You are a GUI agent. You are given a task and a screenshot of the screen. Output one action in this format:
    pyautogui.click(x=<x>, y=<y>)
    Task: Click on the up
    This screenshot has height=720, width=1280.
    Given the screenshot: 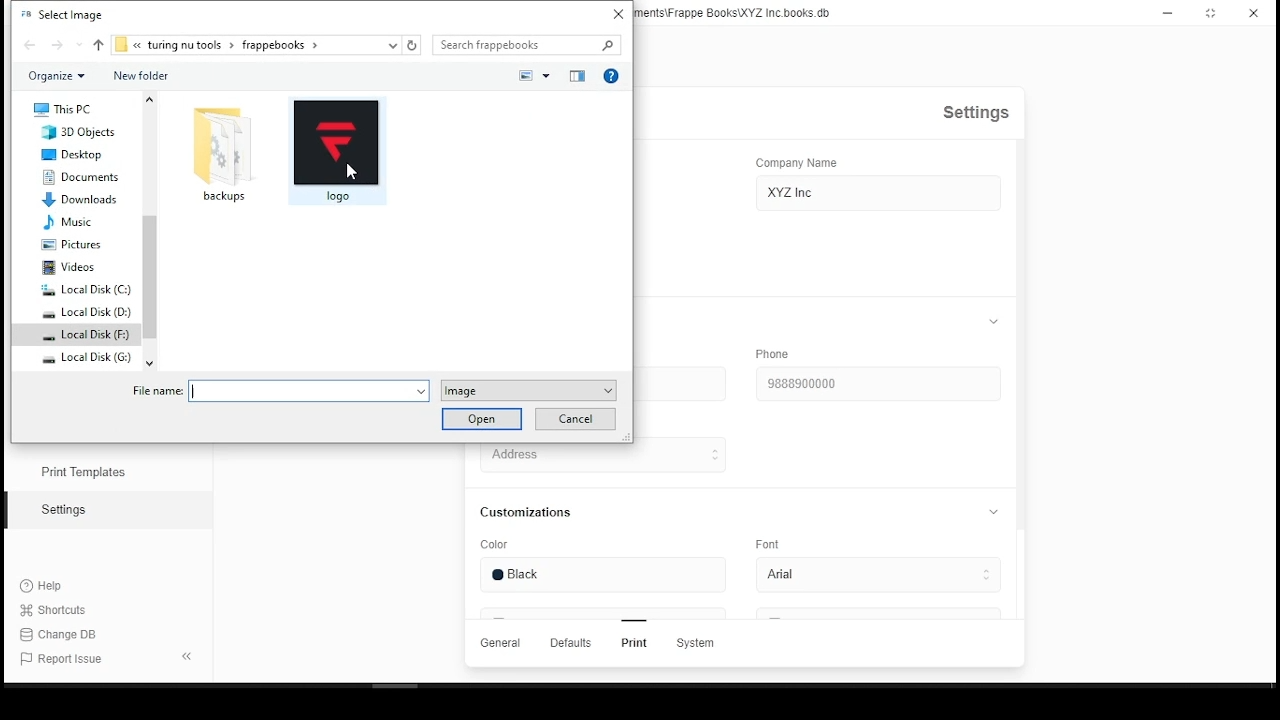 What is the action you would take?
    pyautogui.click(x=97, y=45)
    